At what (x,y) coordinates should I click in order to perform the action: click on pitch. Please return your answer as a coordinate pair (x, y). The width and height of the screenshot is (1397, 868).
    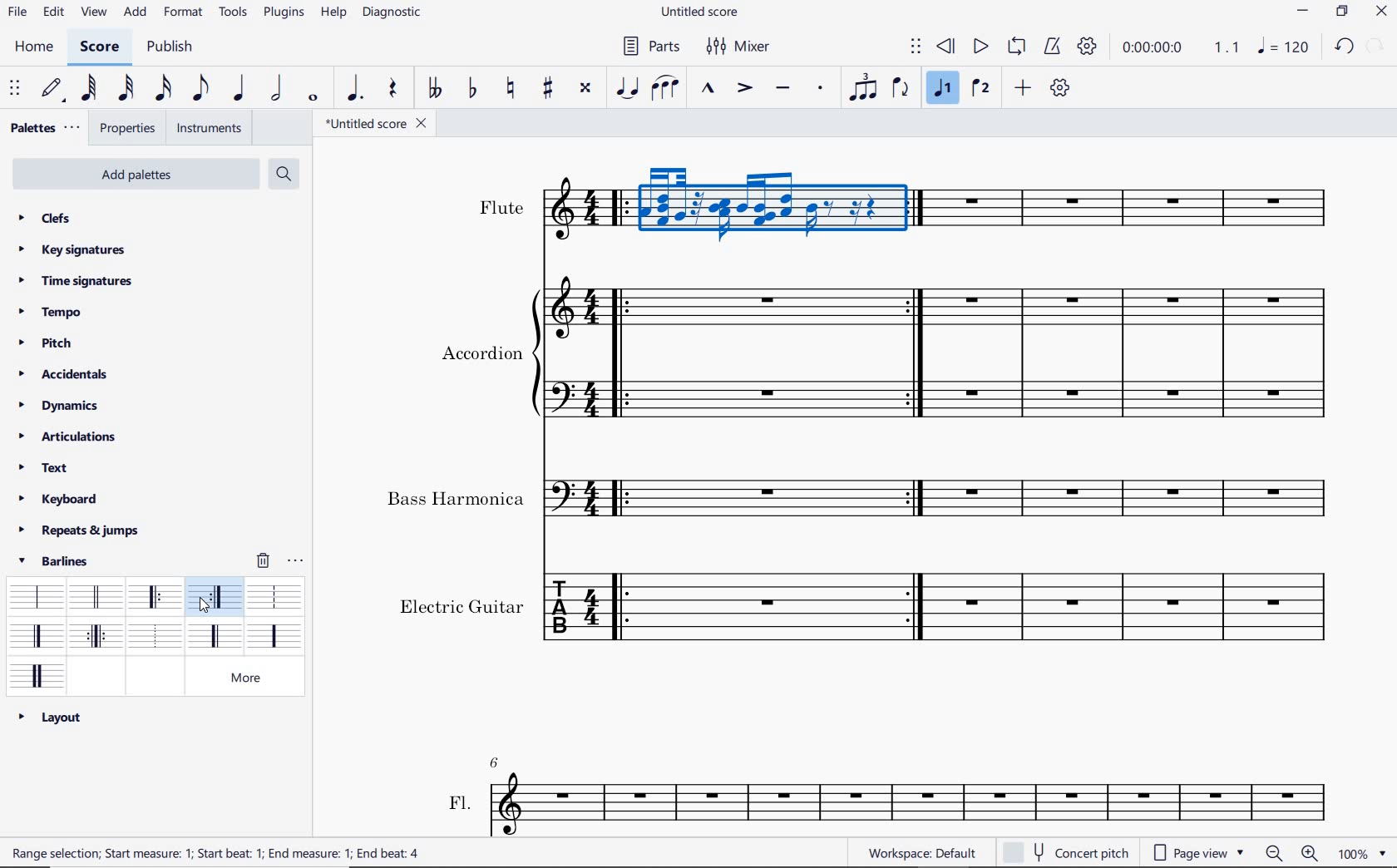
    Looking at the image, I should click on (43, 342).